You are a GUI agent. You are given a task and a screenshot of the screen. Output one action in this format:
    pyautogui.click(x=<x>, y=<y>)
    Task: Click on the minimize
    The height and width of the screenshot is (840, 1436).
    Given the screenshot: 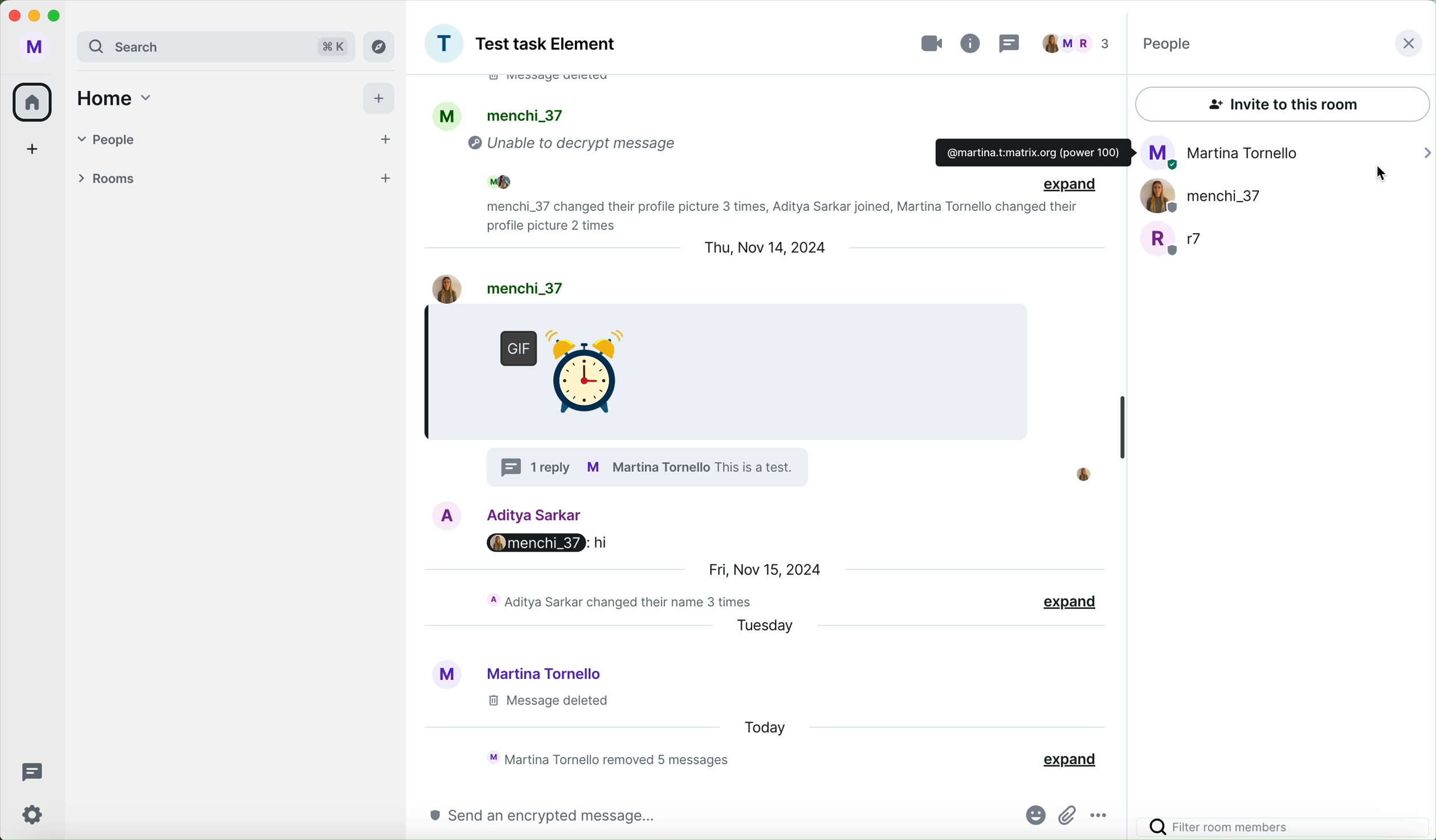 What is the action you would take?
    pyautogui.click(x=34, y=17)
    